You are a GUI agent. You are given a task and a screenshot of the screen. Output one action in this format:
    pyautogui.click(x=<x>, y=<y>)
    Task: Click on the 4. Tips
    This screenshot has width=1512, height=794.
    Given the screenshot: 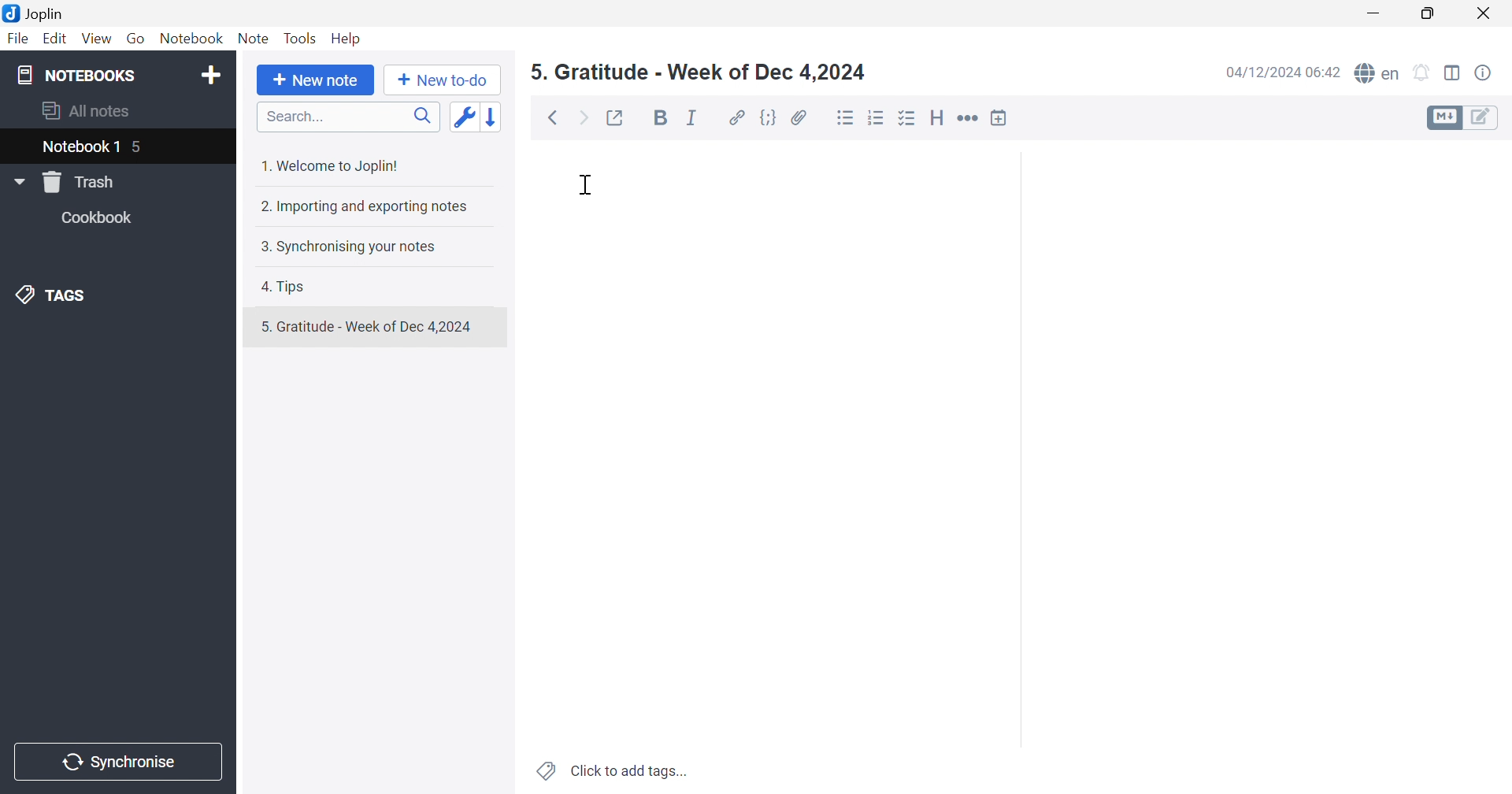 What is the action you would take?
    pyautogui.click(x=286, y=287)
    